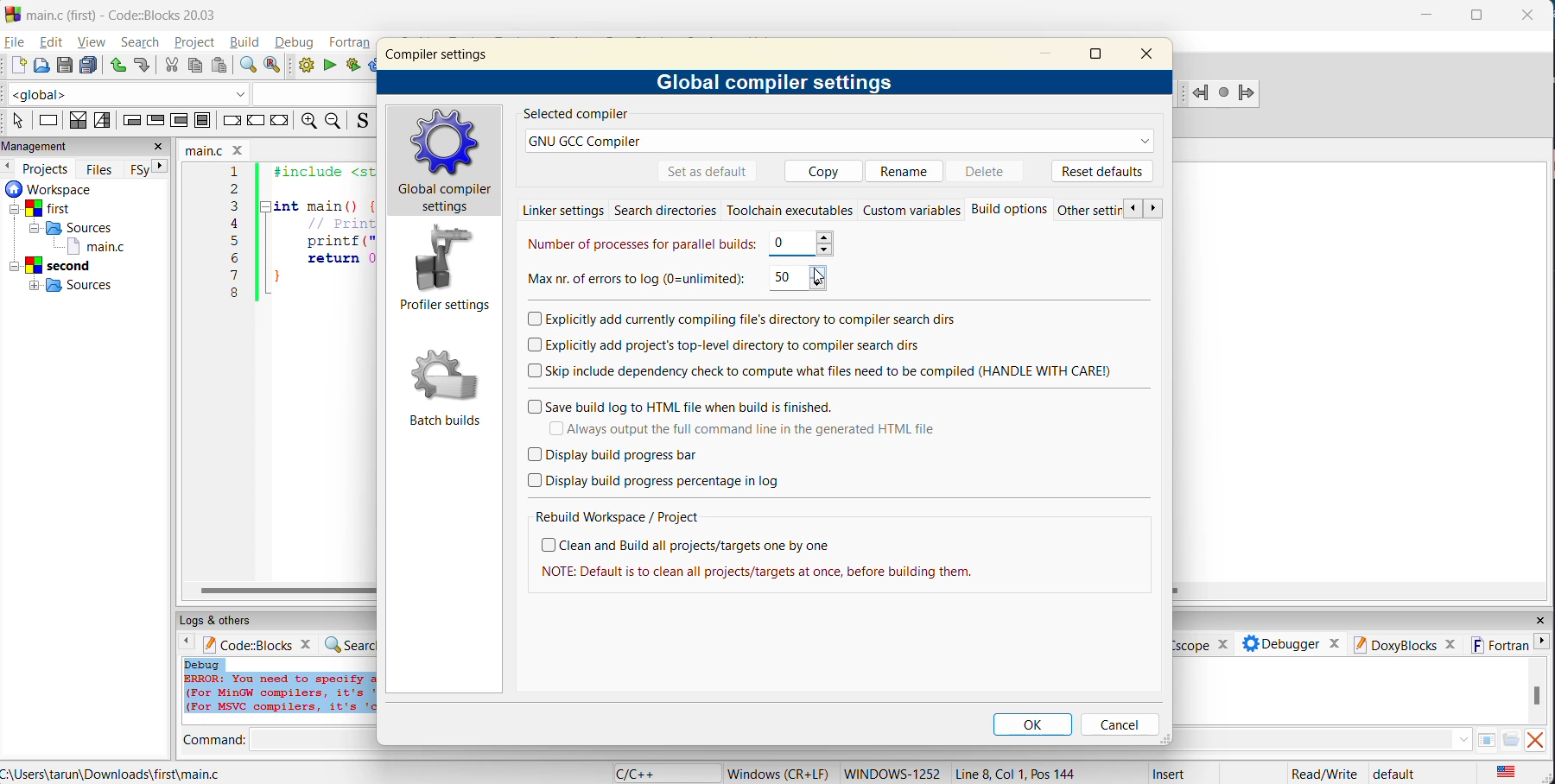  Describe the element at coordinates (10, 167) in the screenshot. I see `previous` at that location.